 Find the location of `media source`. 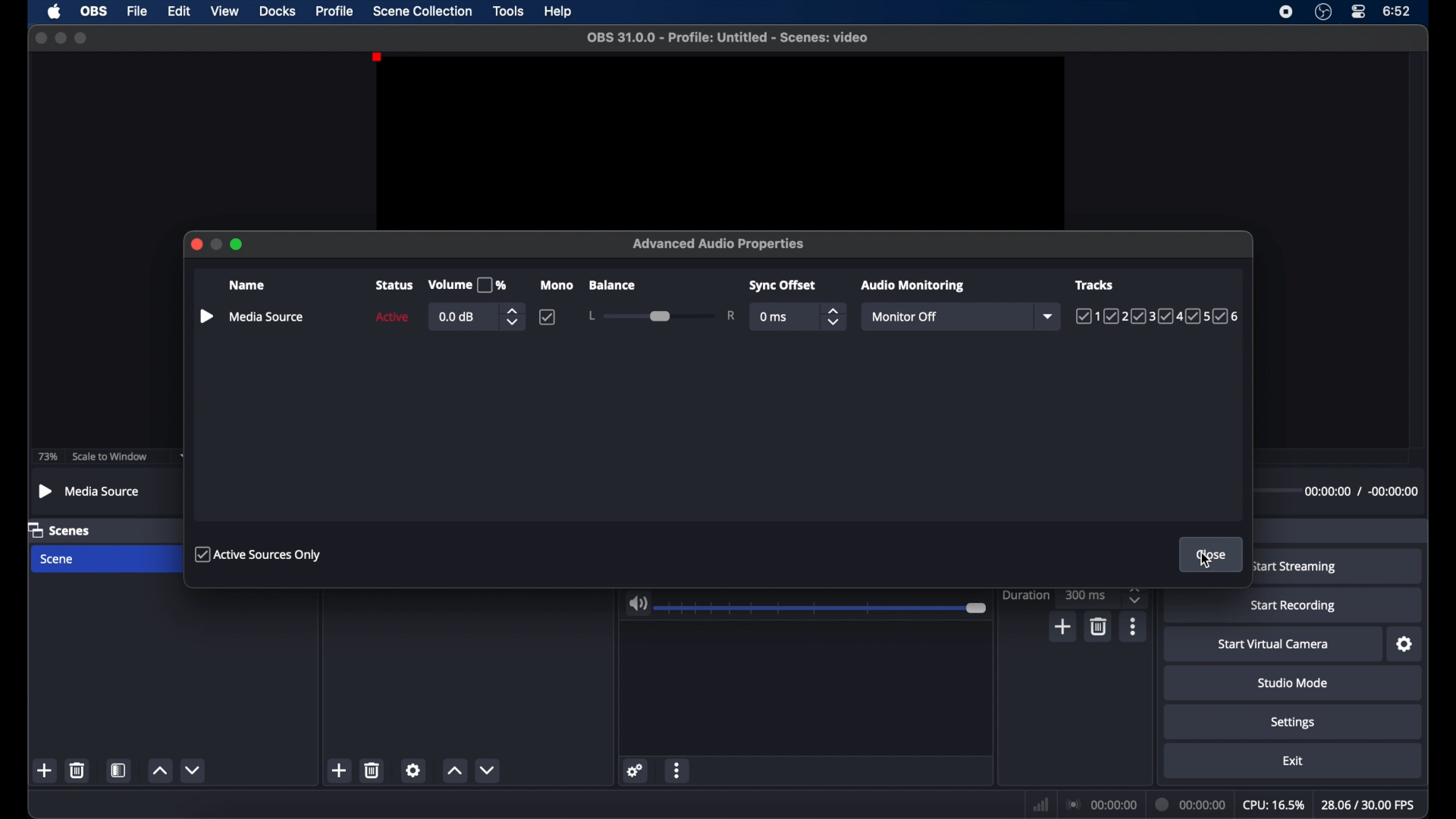

media source is located at coordinates (90, 491).